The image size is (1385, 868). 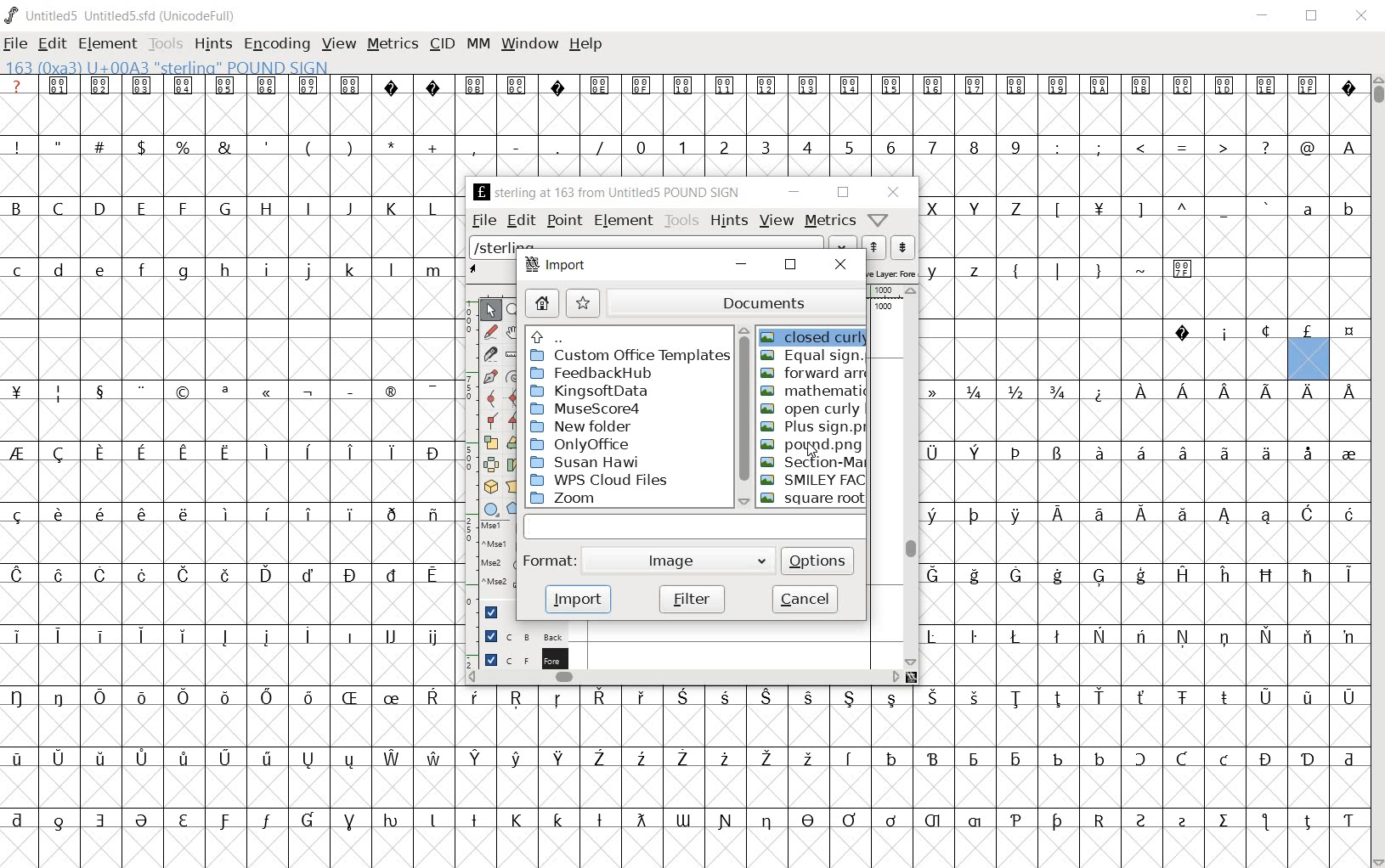 I want to click on SCROLLBAR, so click(x=1377, y=471).